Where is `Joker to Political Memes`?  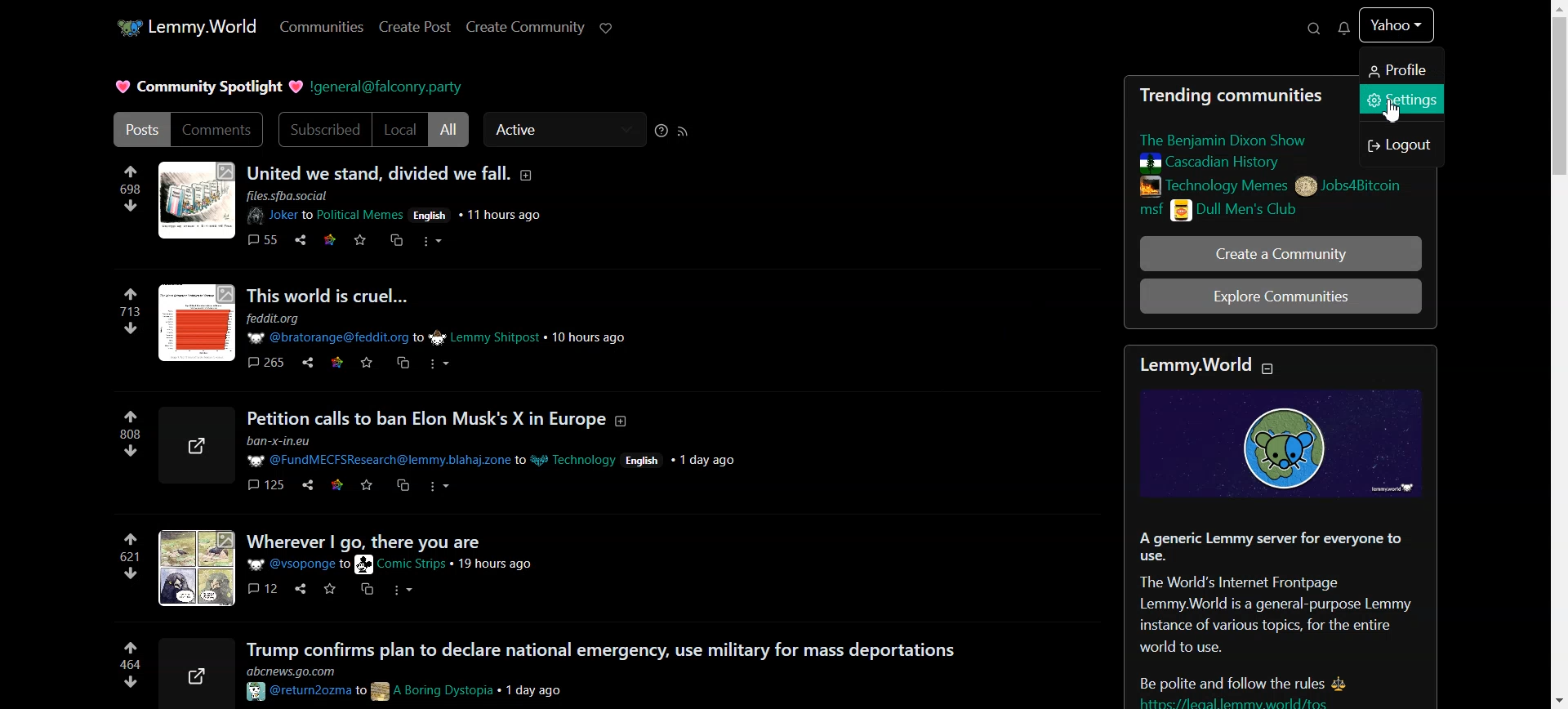
Joker to Political Memes is located at coordinates (322, 216).